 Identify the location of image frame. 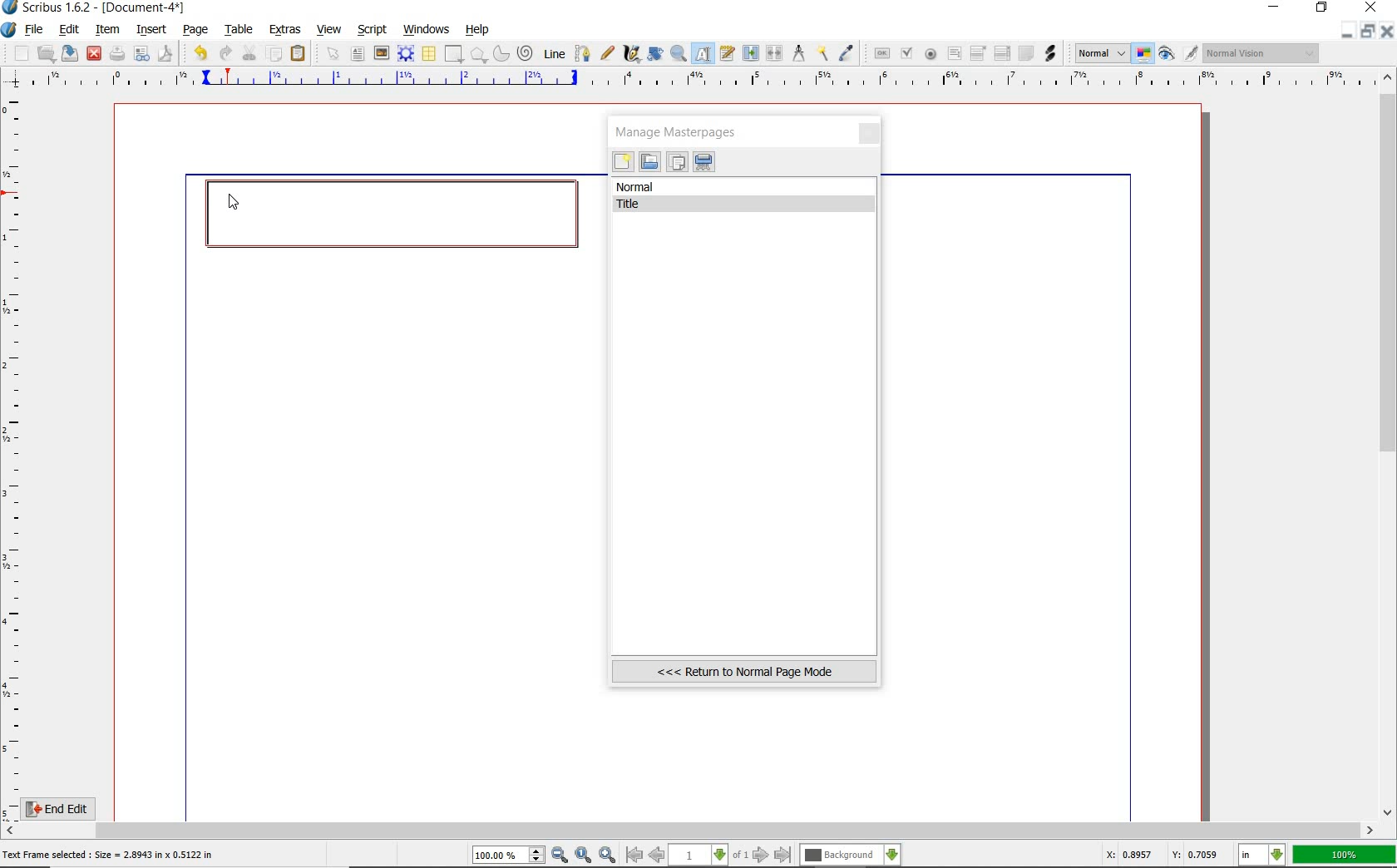
(382, 53).